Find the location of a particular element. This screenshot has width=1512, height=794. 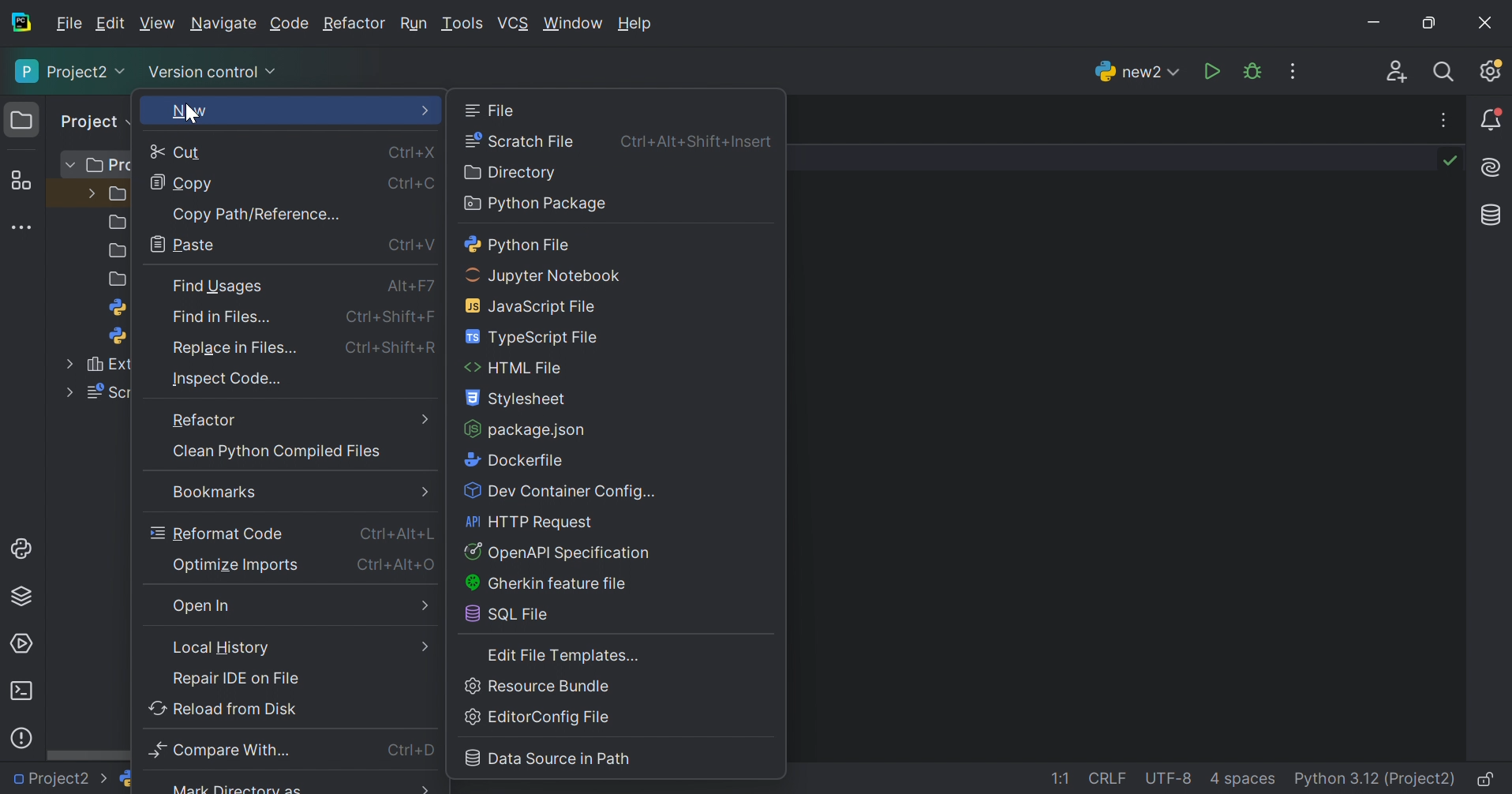

Scroll bar is located at coordinates (85, 757).